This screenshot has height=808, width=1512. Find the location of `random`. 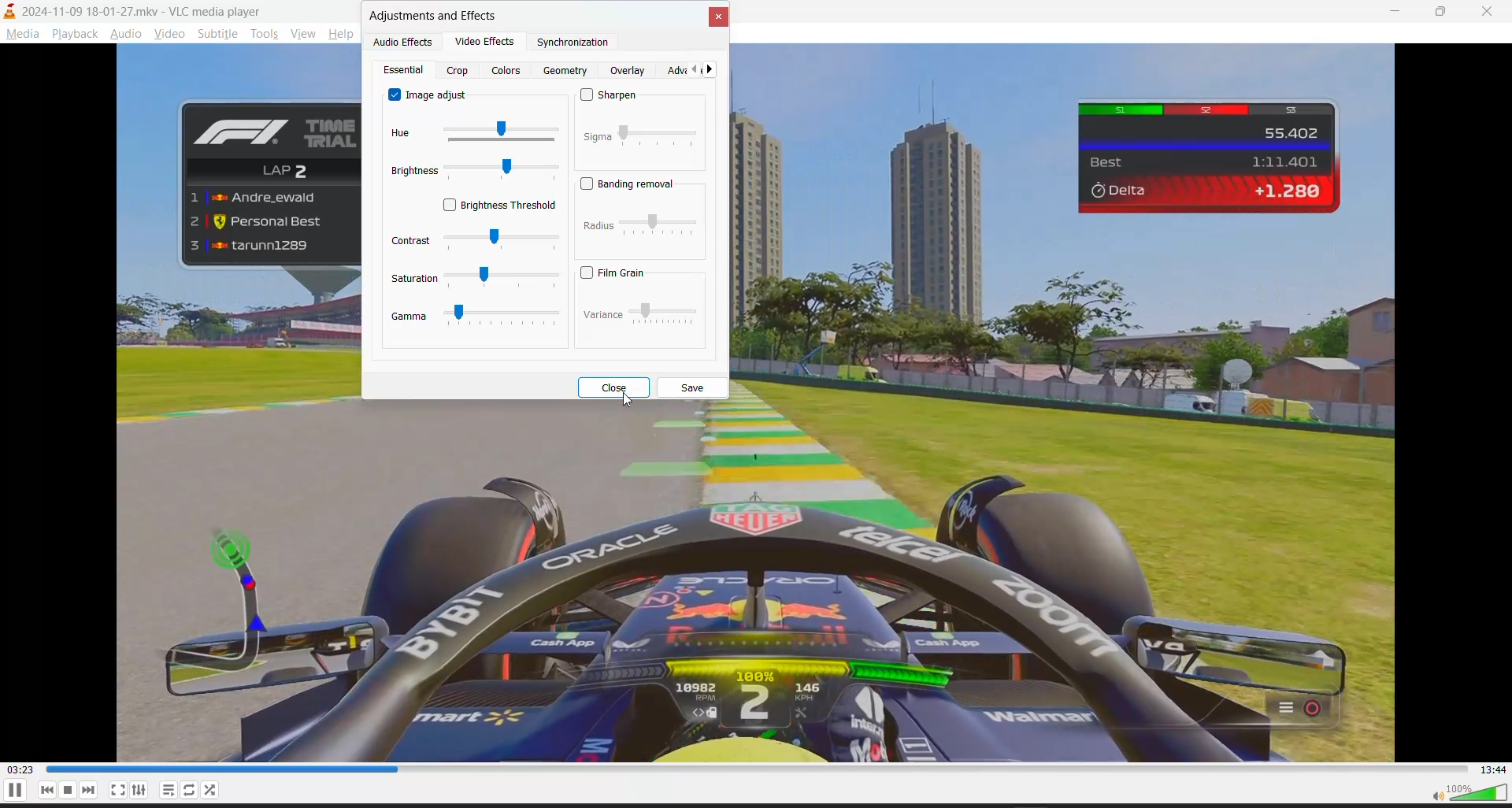

random is located at coordinates (191, 790).